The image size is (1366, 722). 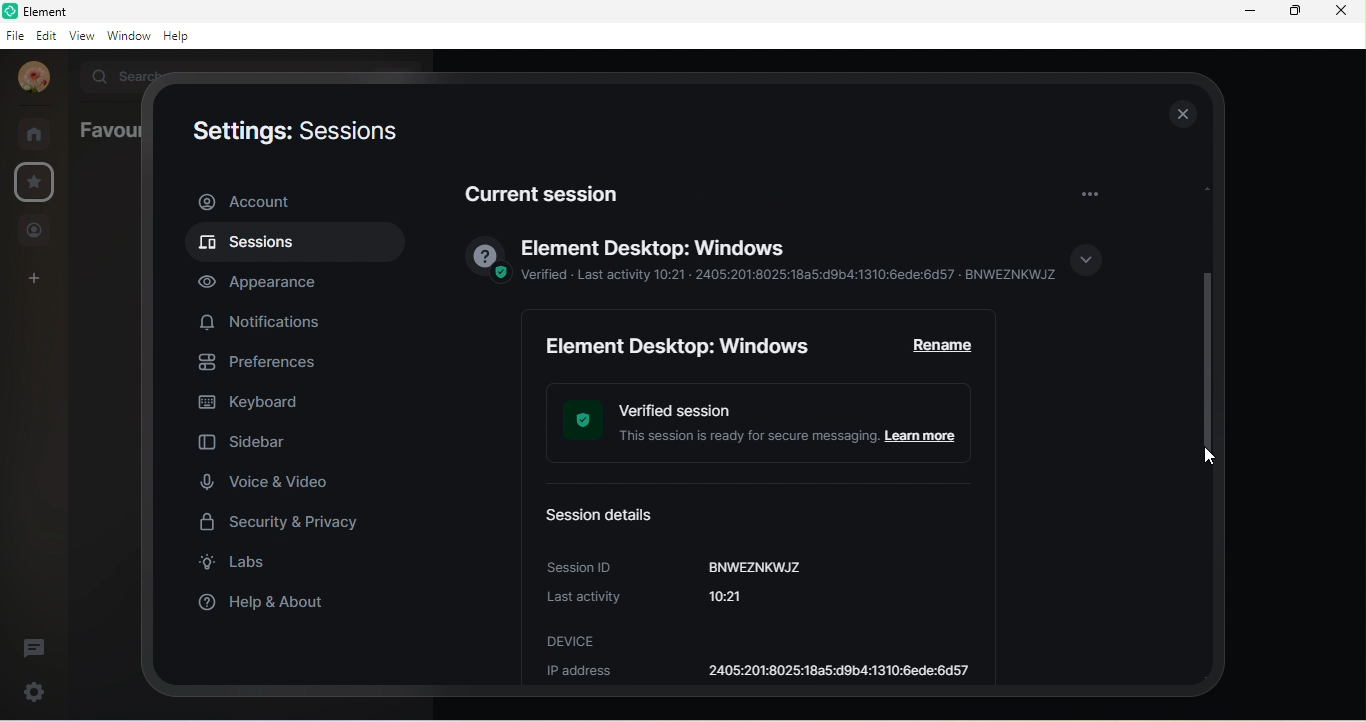 What do you see at coordinates (273, 601) in the screenshot?
I see `help and about` at bounding box center [273, 601].